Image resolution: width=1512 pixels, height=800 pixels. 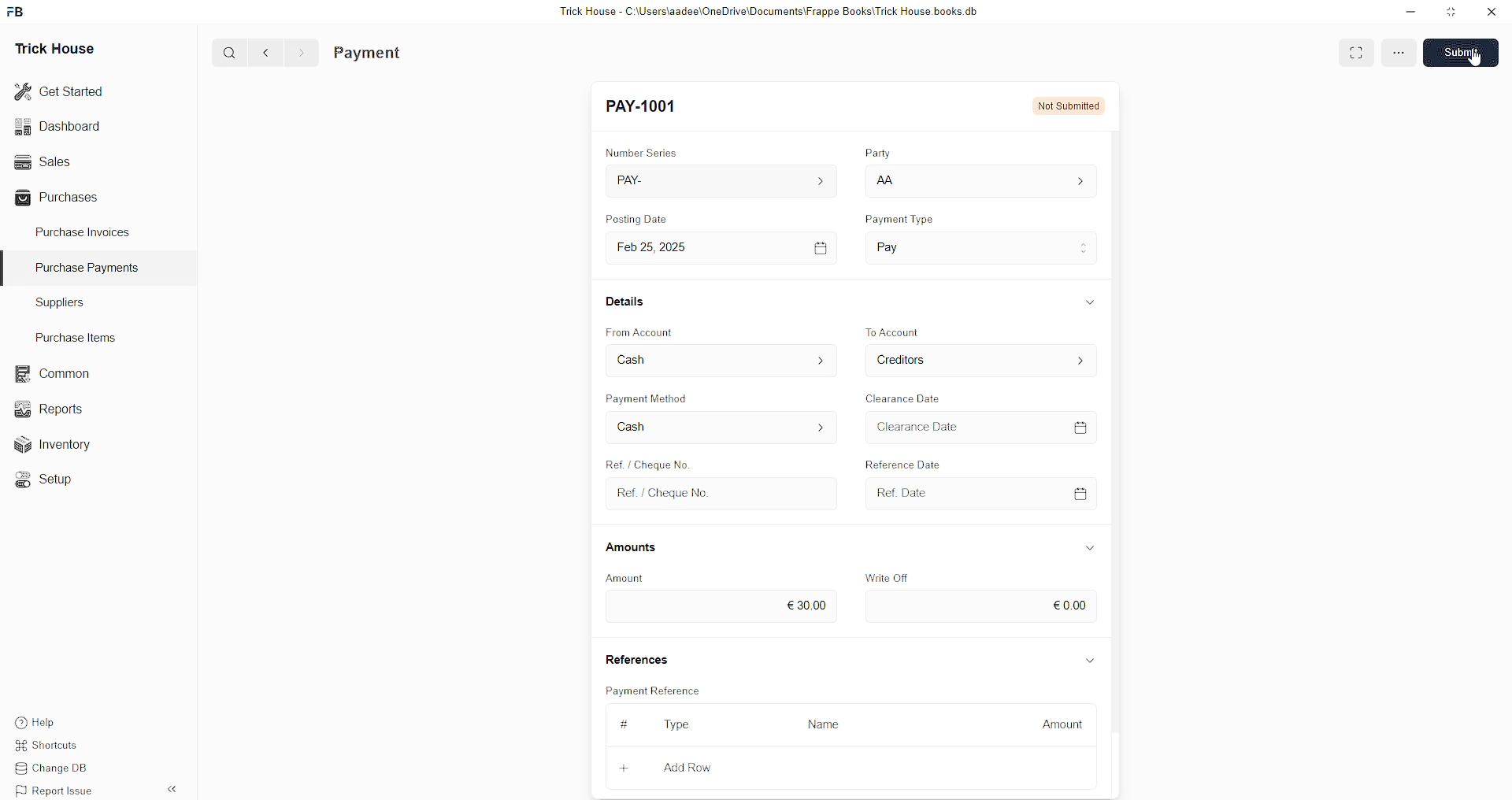 What do you see at coordinates (641, 548) in the screenshot?
I see `Amounts` at bounding box center [641, 548].